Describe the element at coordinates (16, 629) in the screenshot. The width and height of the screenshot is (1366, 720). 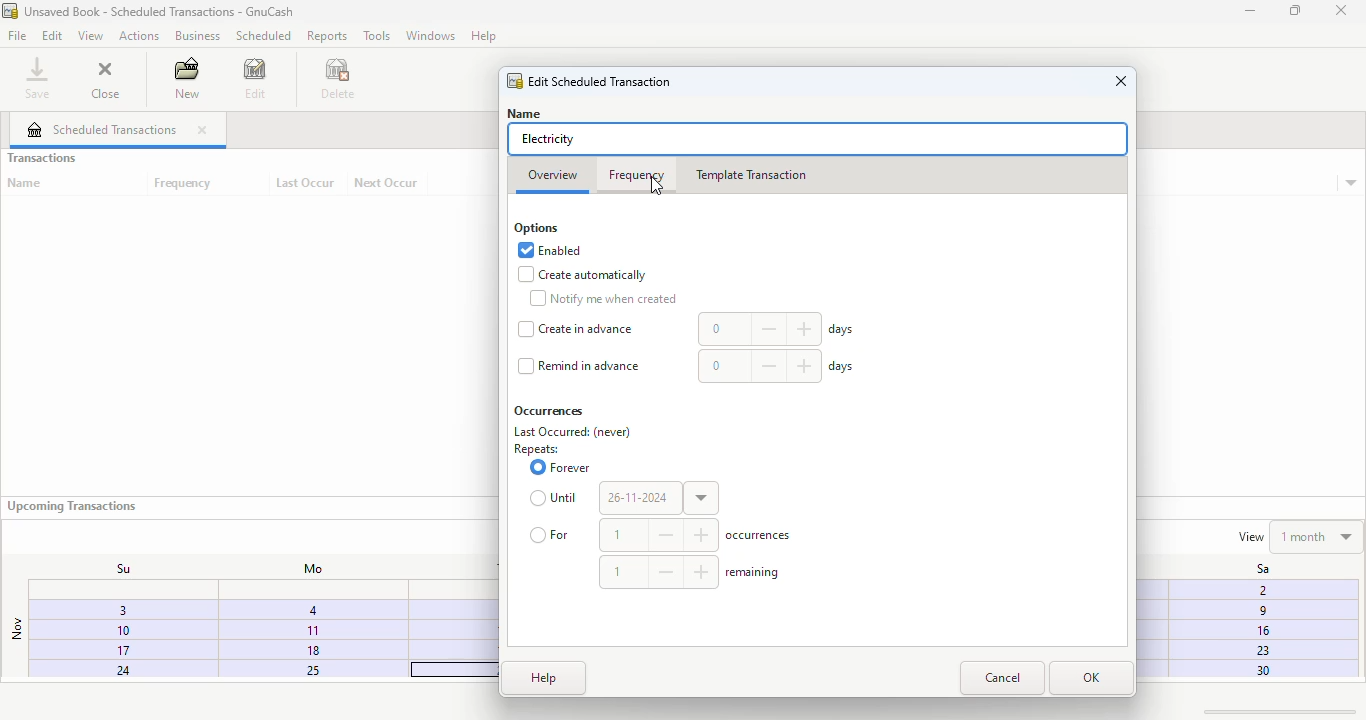
I see `nov` at that location.